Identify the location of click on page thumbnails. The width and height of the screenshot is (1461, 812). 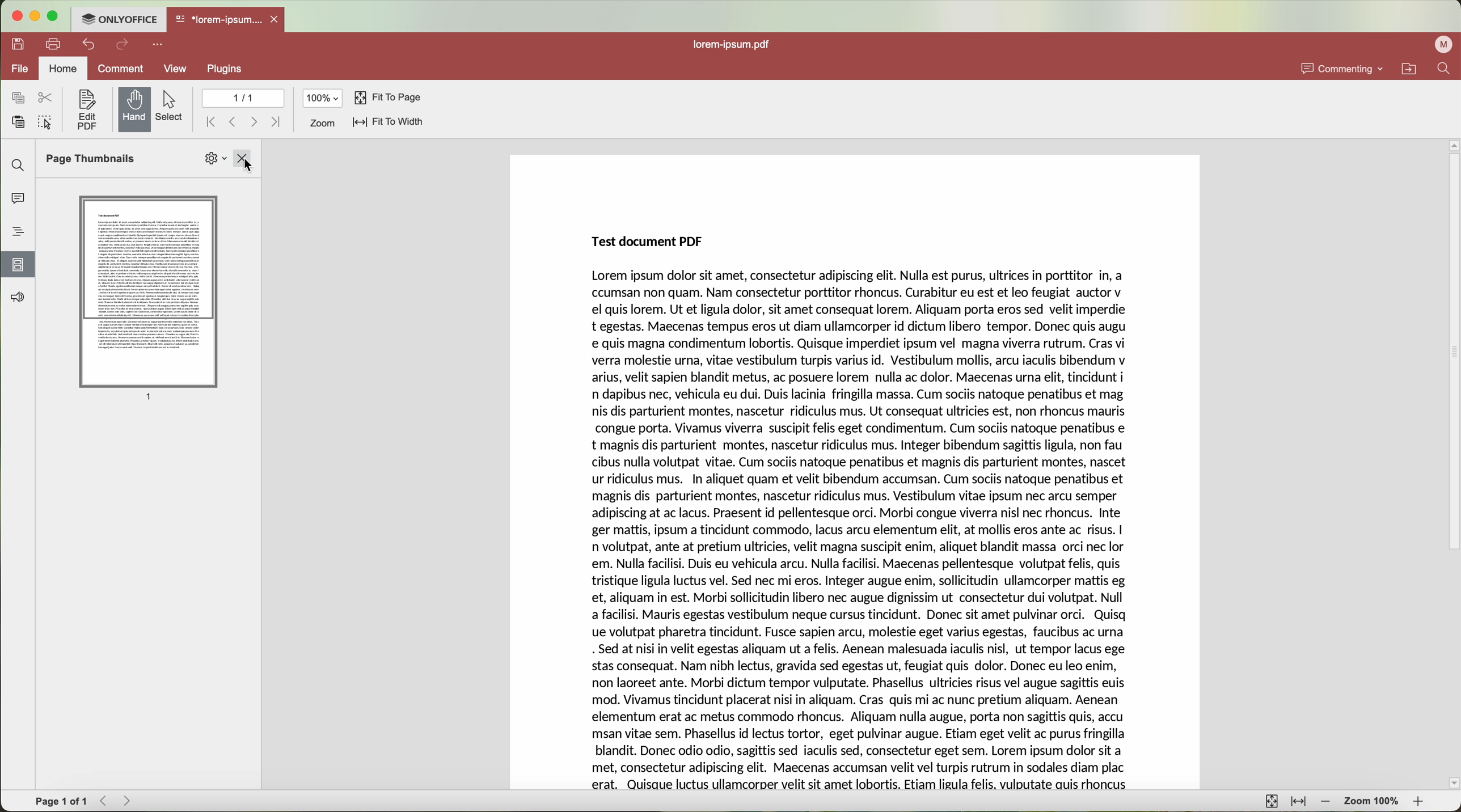
(18, 264).